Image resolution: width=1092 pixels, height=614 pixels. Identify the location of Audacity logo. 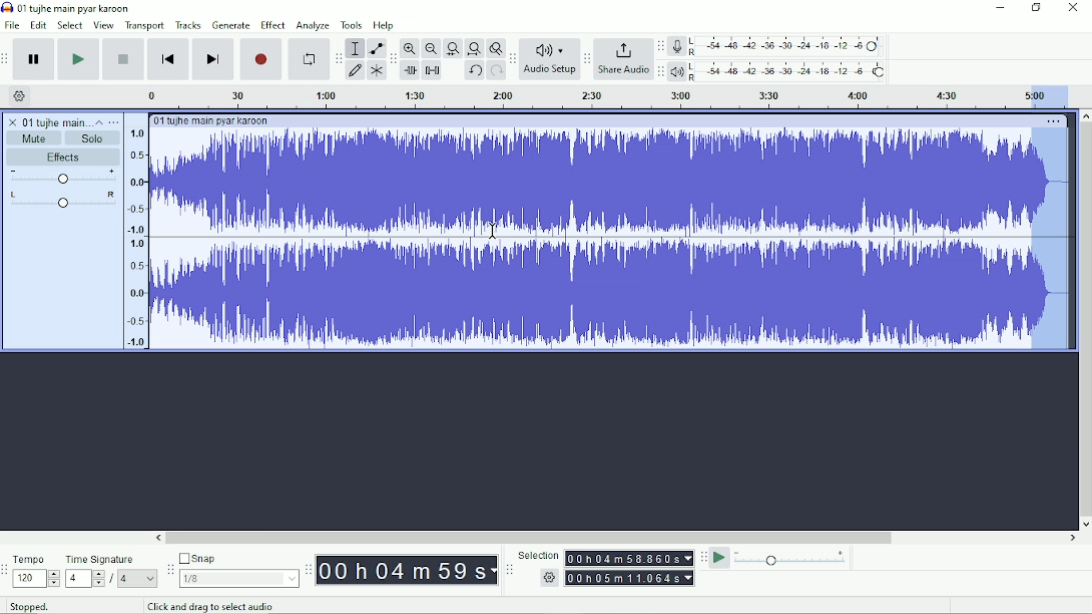
(7, 8).